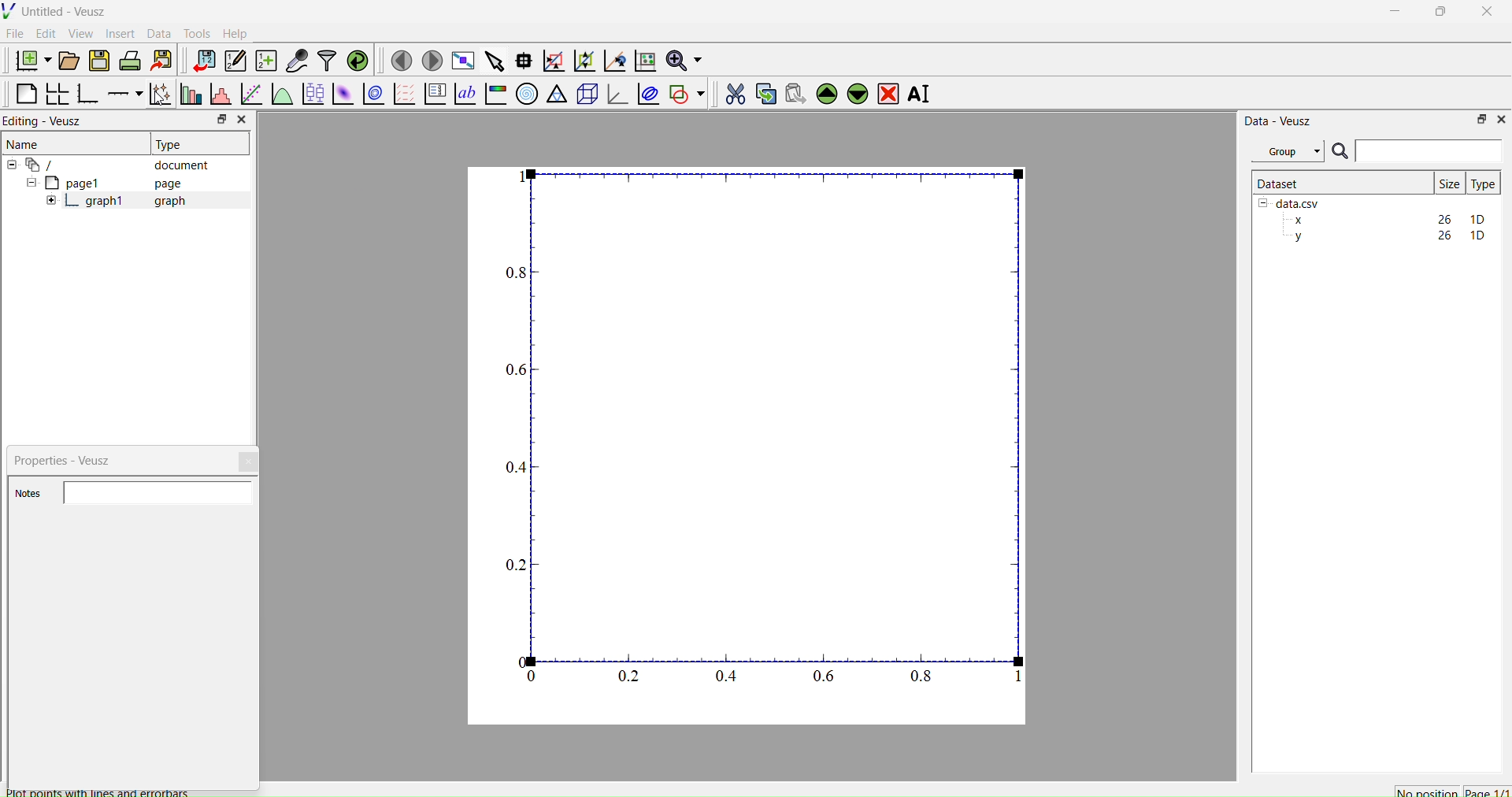 This screenshot has height=797, width=1512. What do you see at coordinates (98, 59) in the screenshot?
I see `Save` at bounding box center [98, 59].